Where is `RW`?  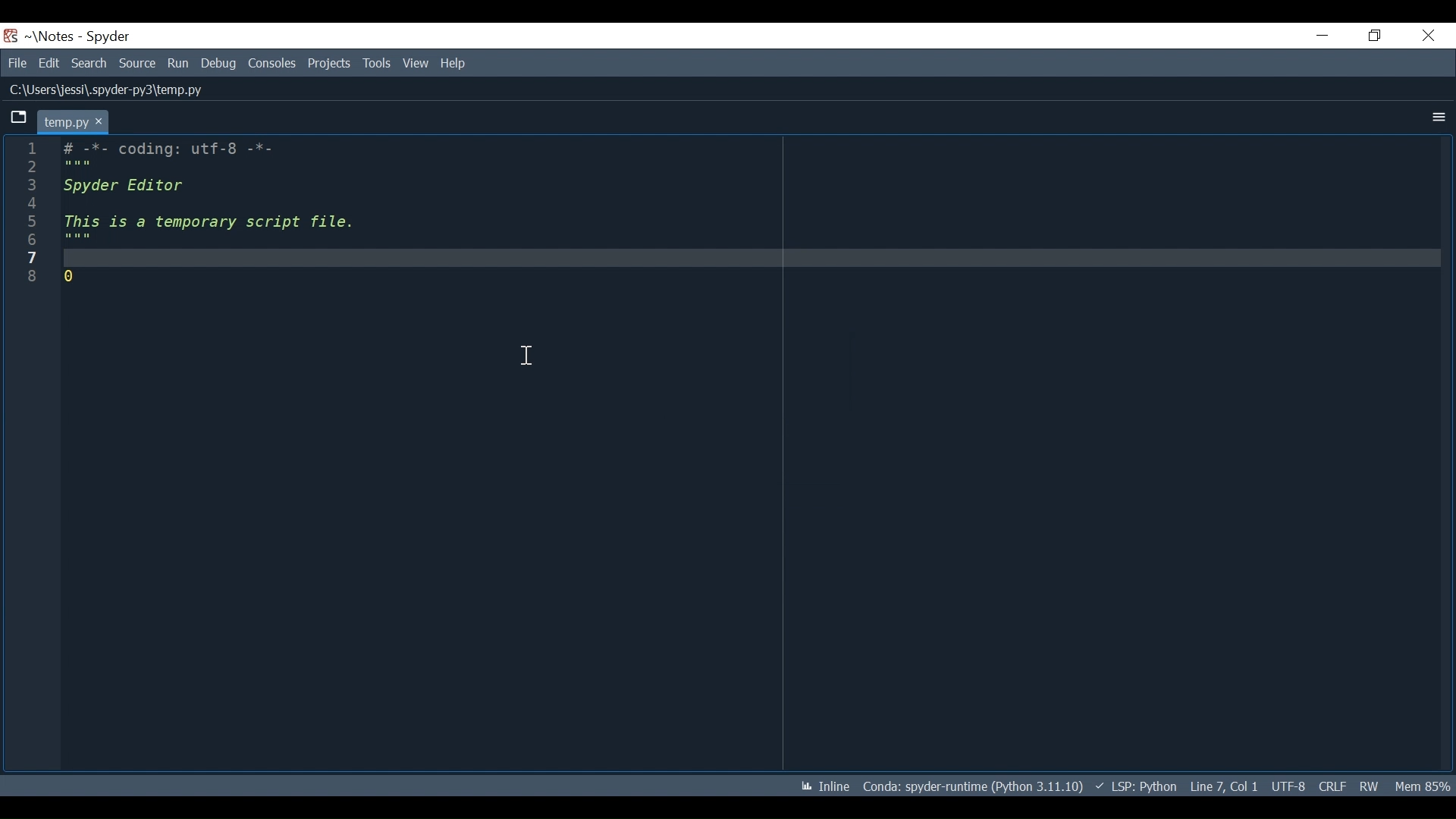 RW is located at coordinates (1371, 786).